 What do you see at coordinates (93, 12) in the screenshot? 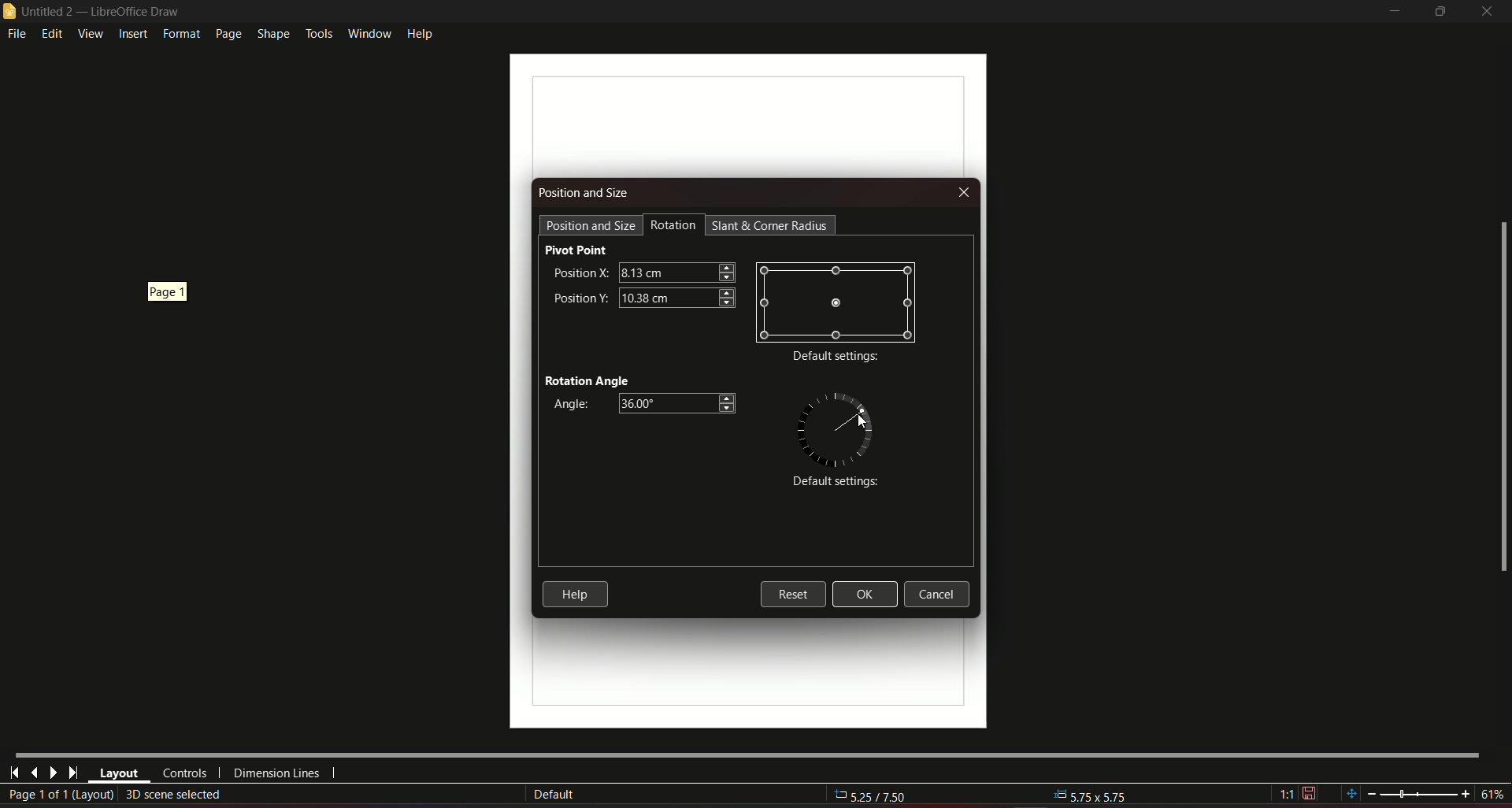
I see `untitled 2 - libreoffice draw` at bounding box center [93, 12].